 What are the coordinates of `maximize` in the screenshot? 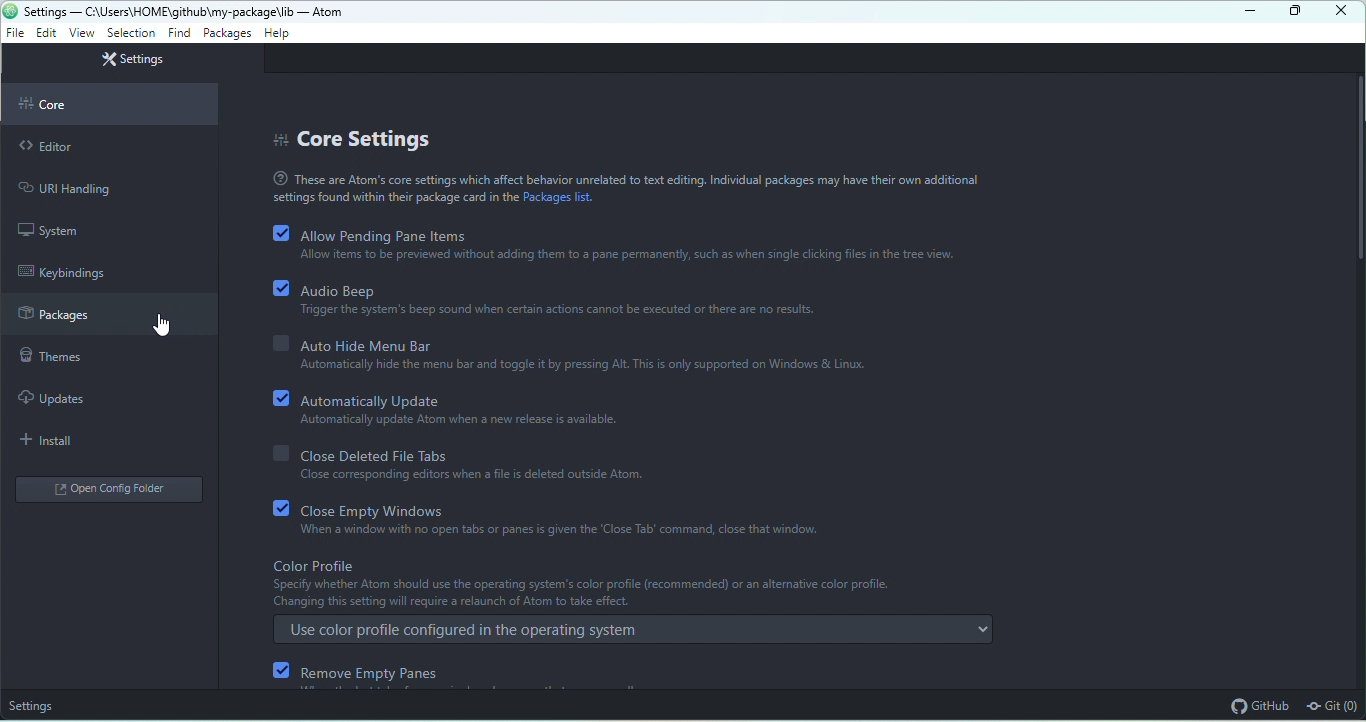 It's located at (1295, 12).